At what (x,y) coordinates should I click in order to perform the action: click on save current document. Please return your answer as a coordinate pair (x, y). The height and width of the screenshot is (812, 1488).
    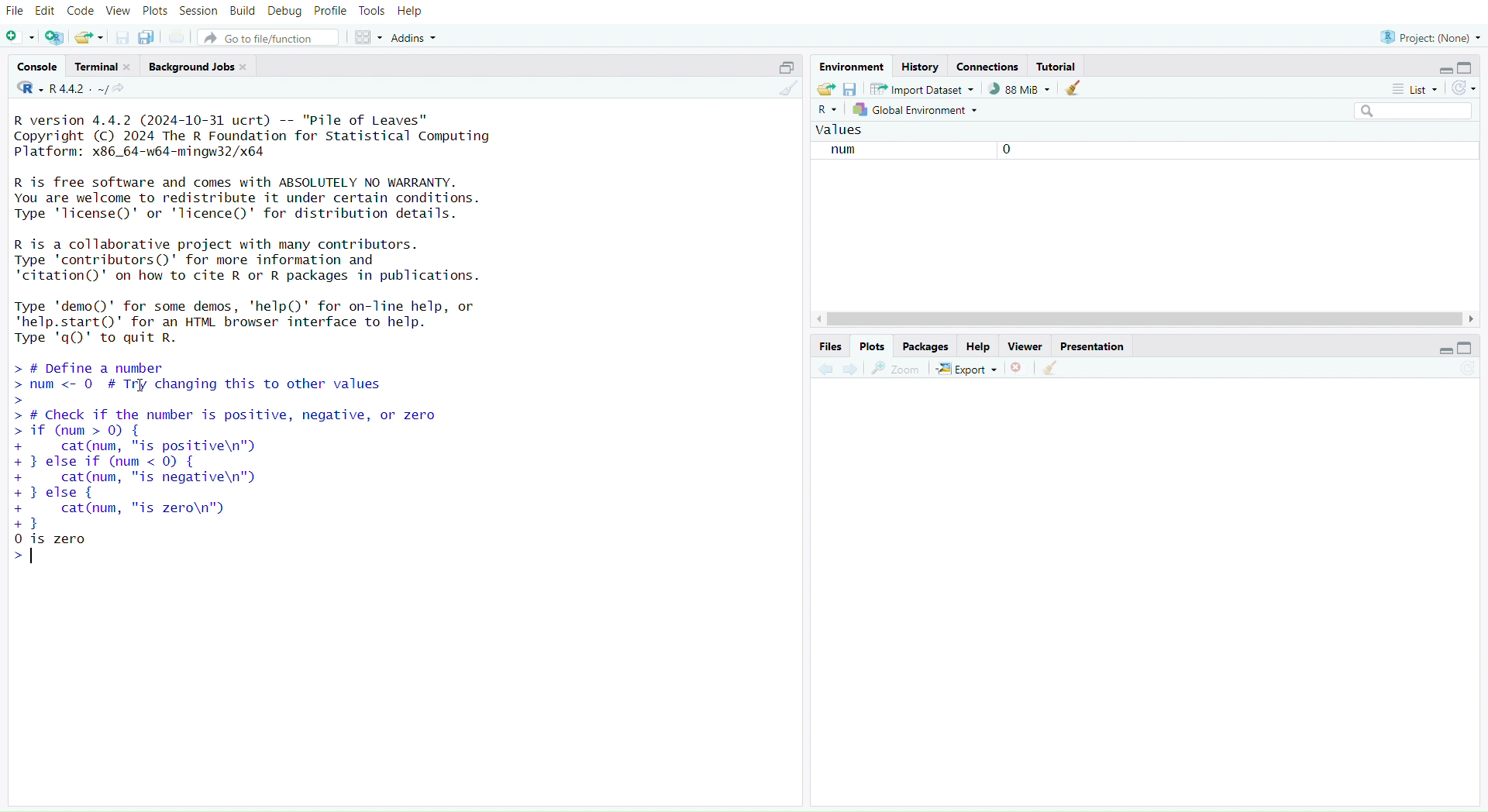
    Looking at the image, I should click on (122, 39).